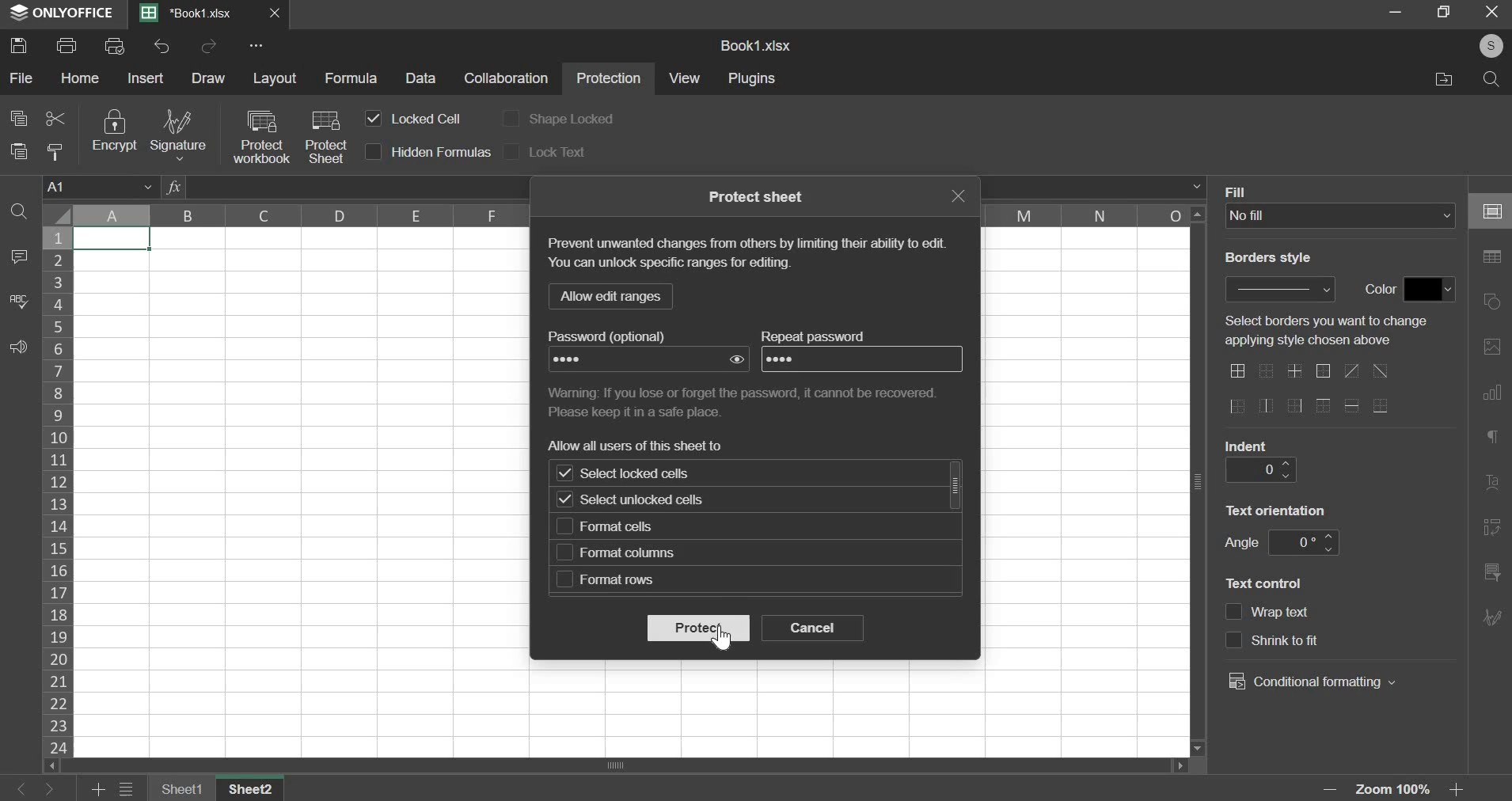  Describe the element at coordinates (564, 552) in the screenshot. I see `checkbox` at that location.